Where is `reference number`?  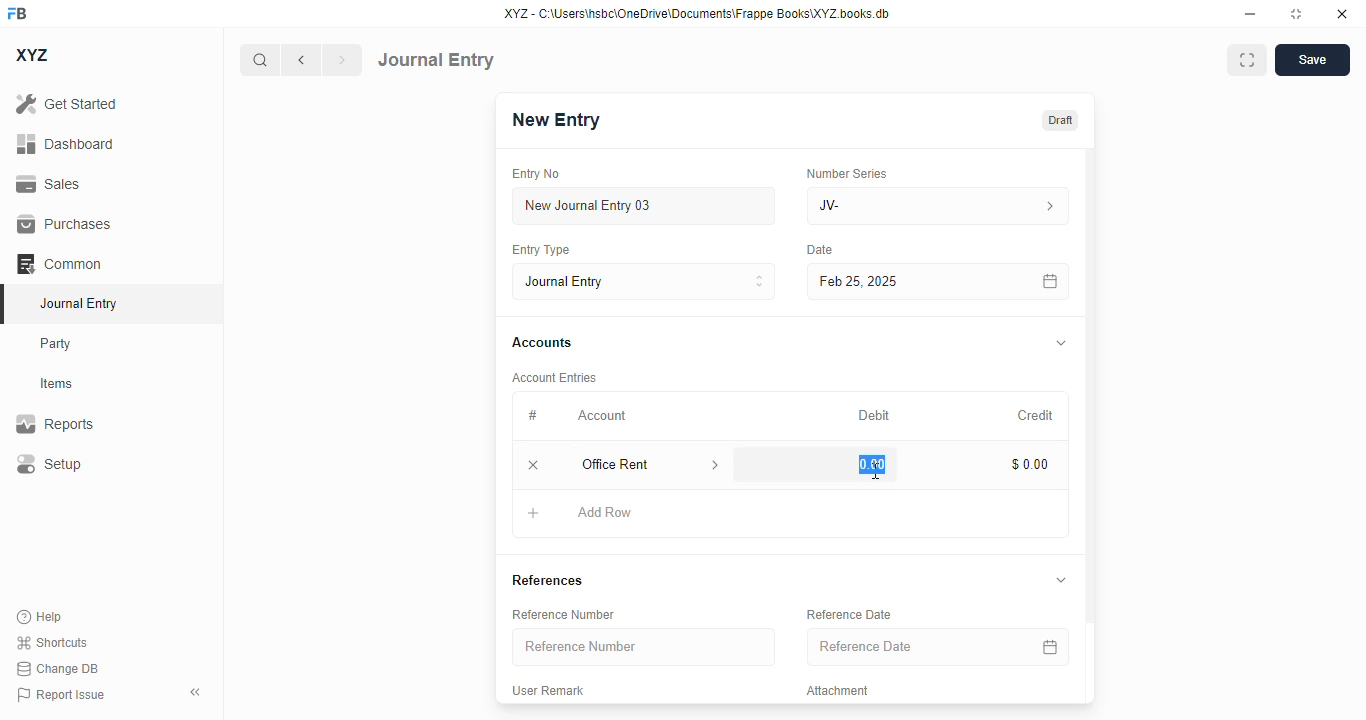 reference number is located at coordinates (563, 615).